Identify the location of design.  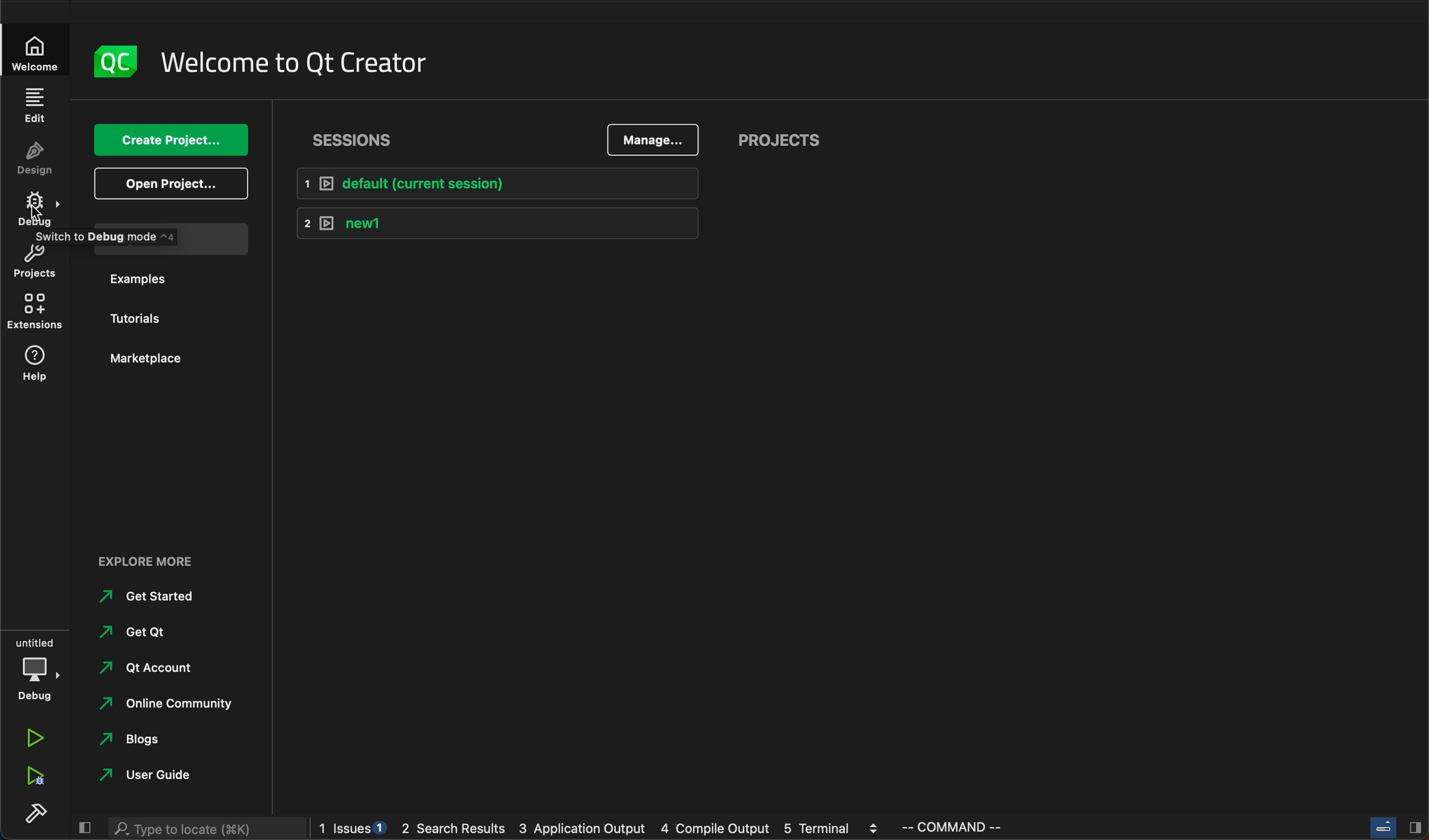
(36, 160).